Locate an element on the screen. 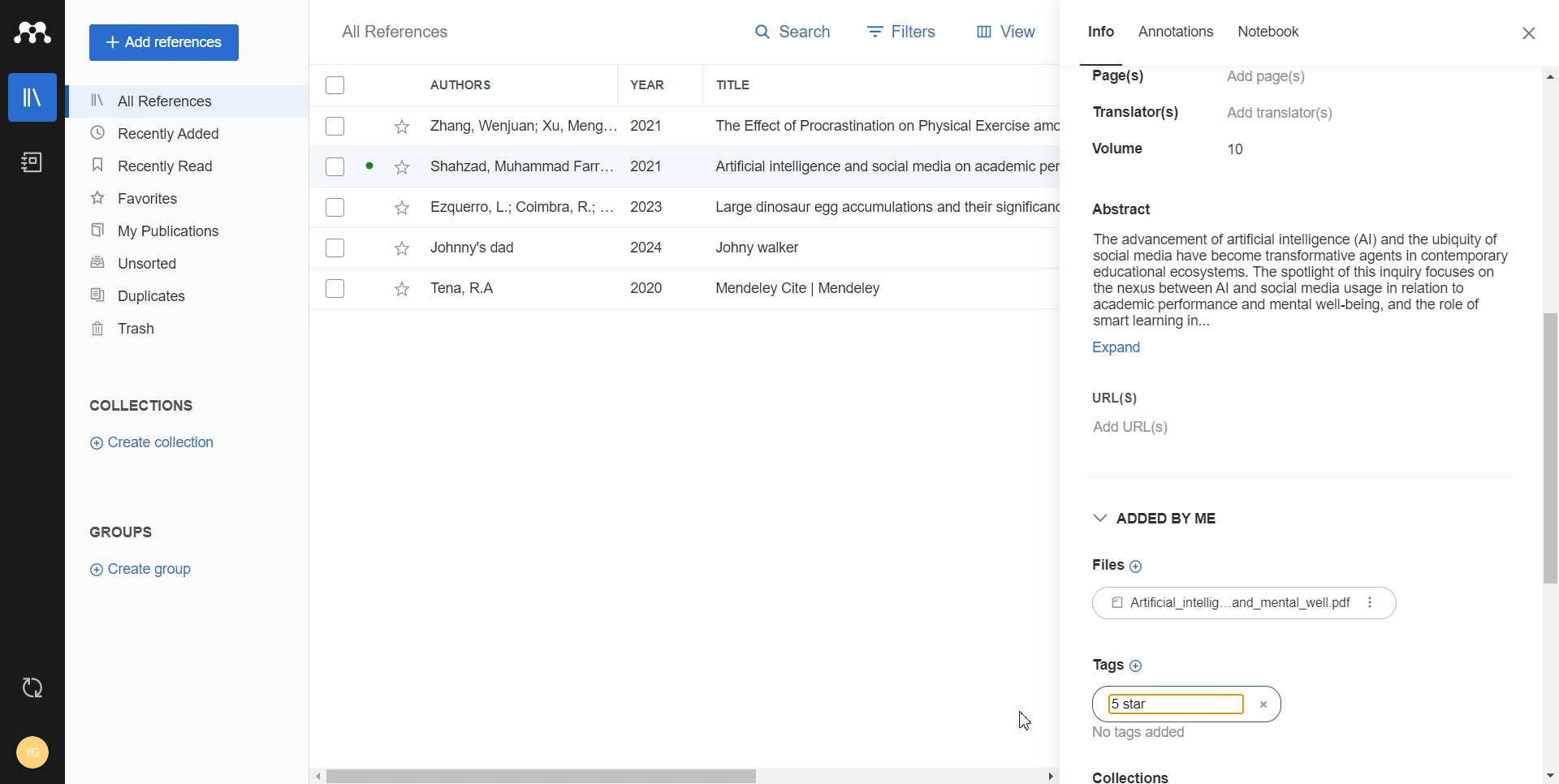  Checklist is located at coordinates (335, 84).